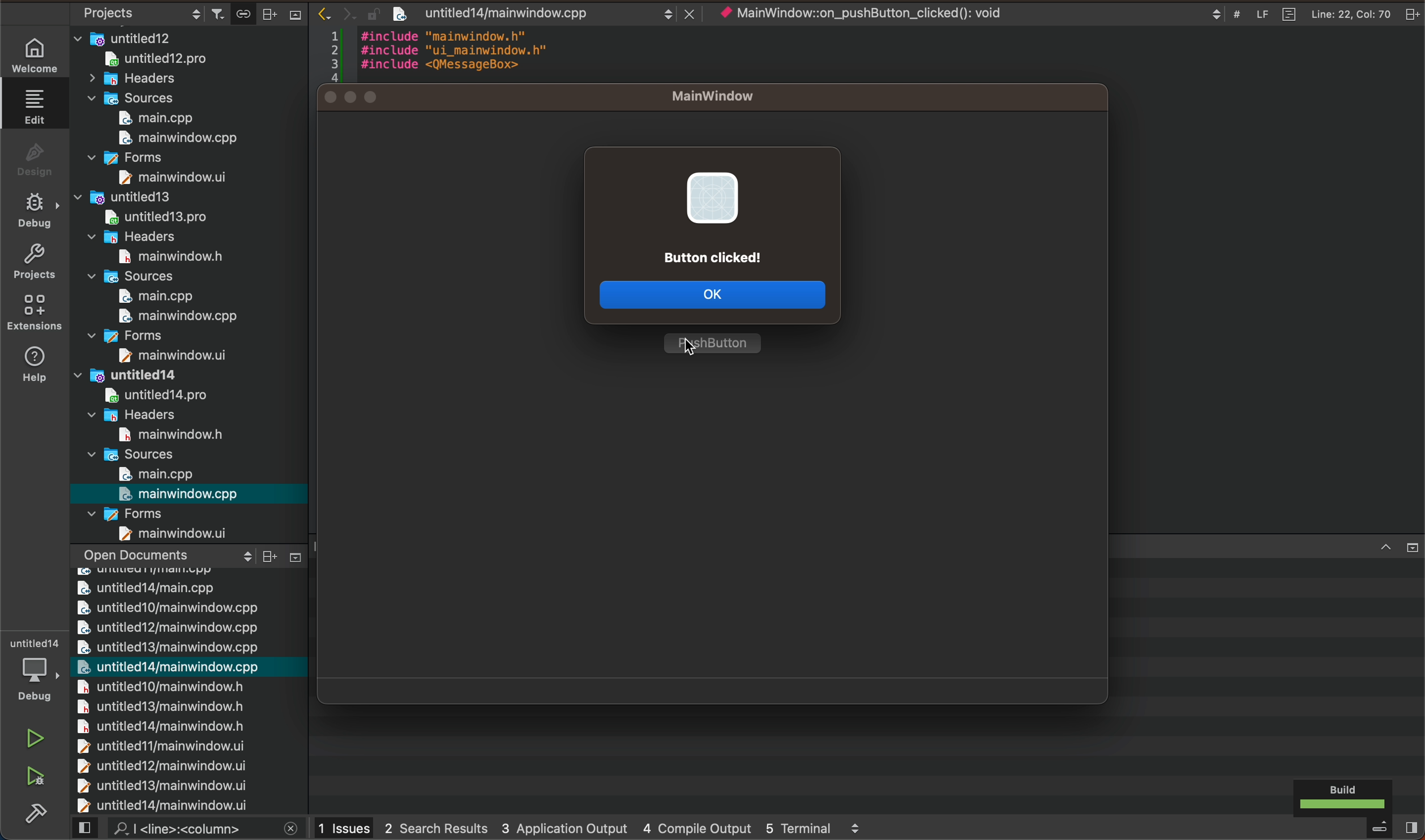  I want to click on ok, so click(720, 299).